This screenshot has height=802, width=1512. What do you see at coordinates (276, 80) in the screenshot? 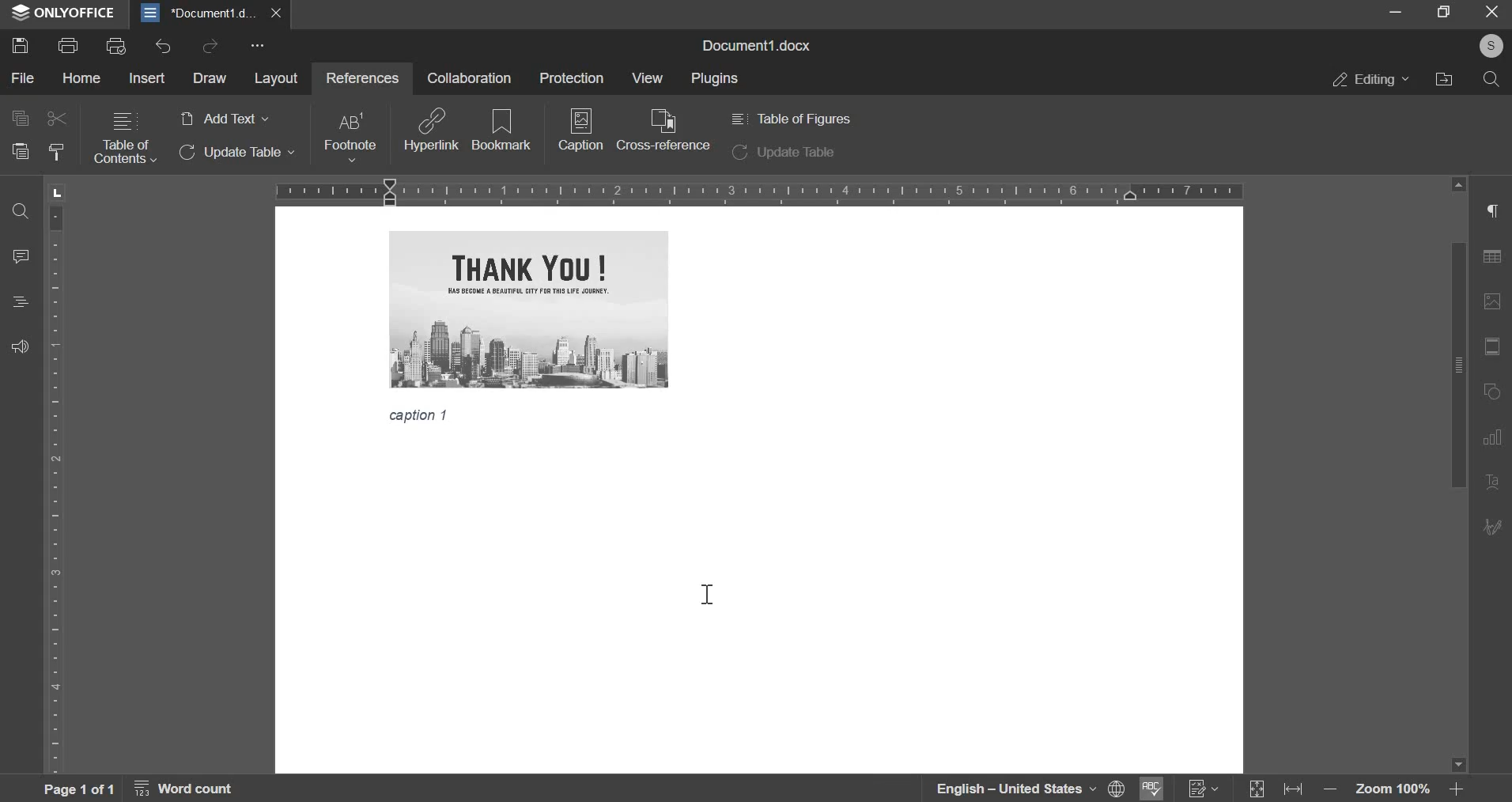
I see `layout` at bounding box center [276, 80].